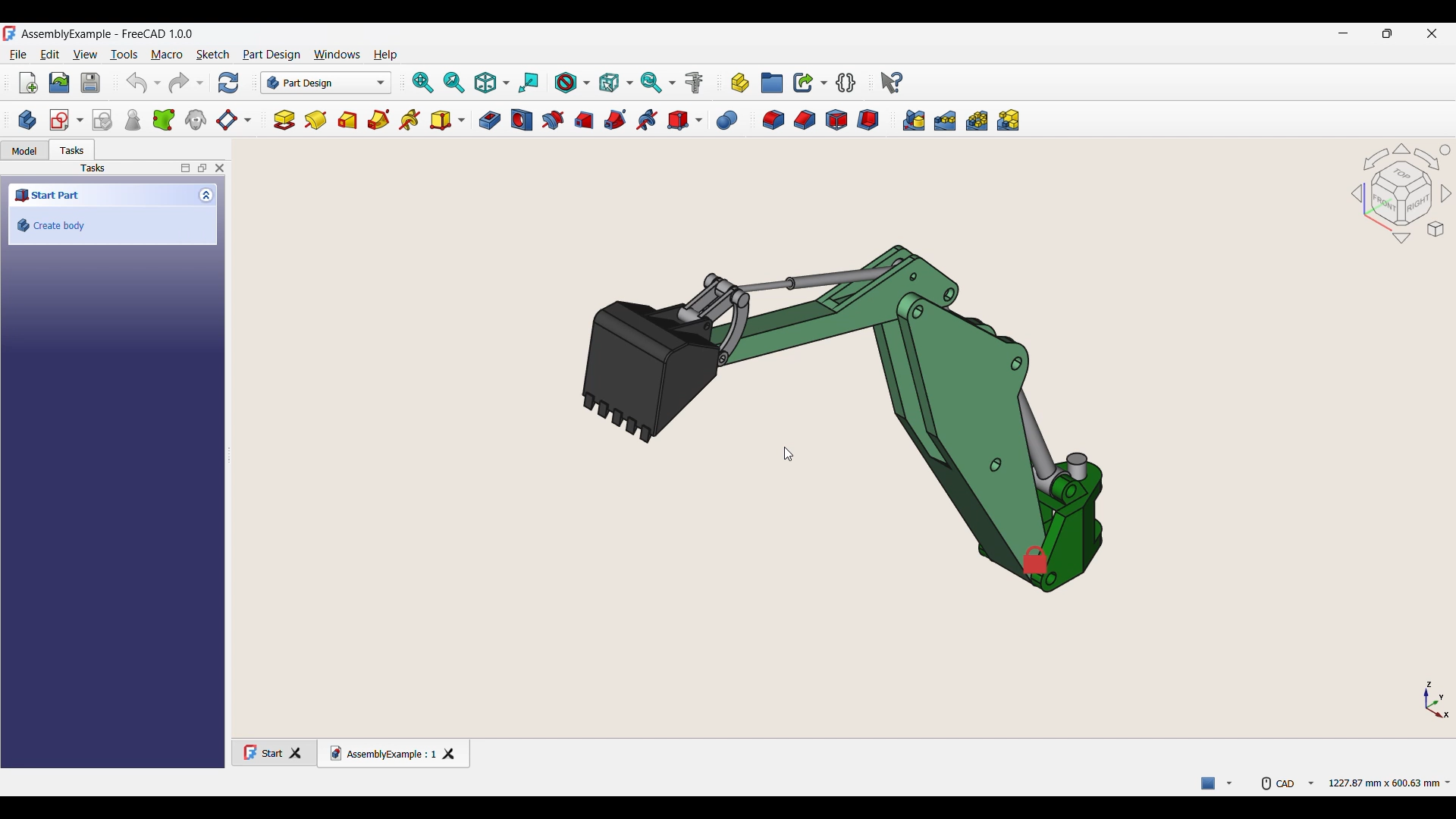 Image resolution: width=1456 pixels, height=819 pixels. What do you see at coordinates (530, 83) in the screenshot?
I see `Align to selection` at bounding box center [530, 83].